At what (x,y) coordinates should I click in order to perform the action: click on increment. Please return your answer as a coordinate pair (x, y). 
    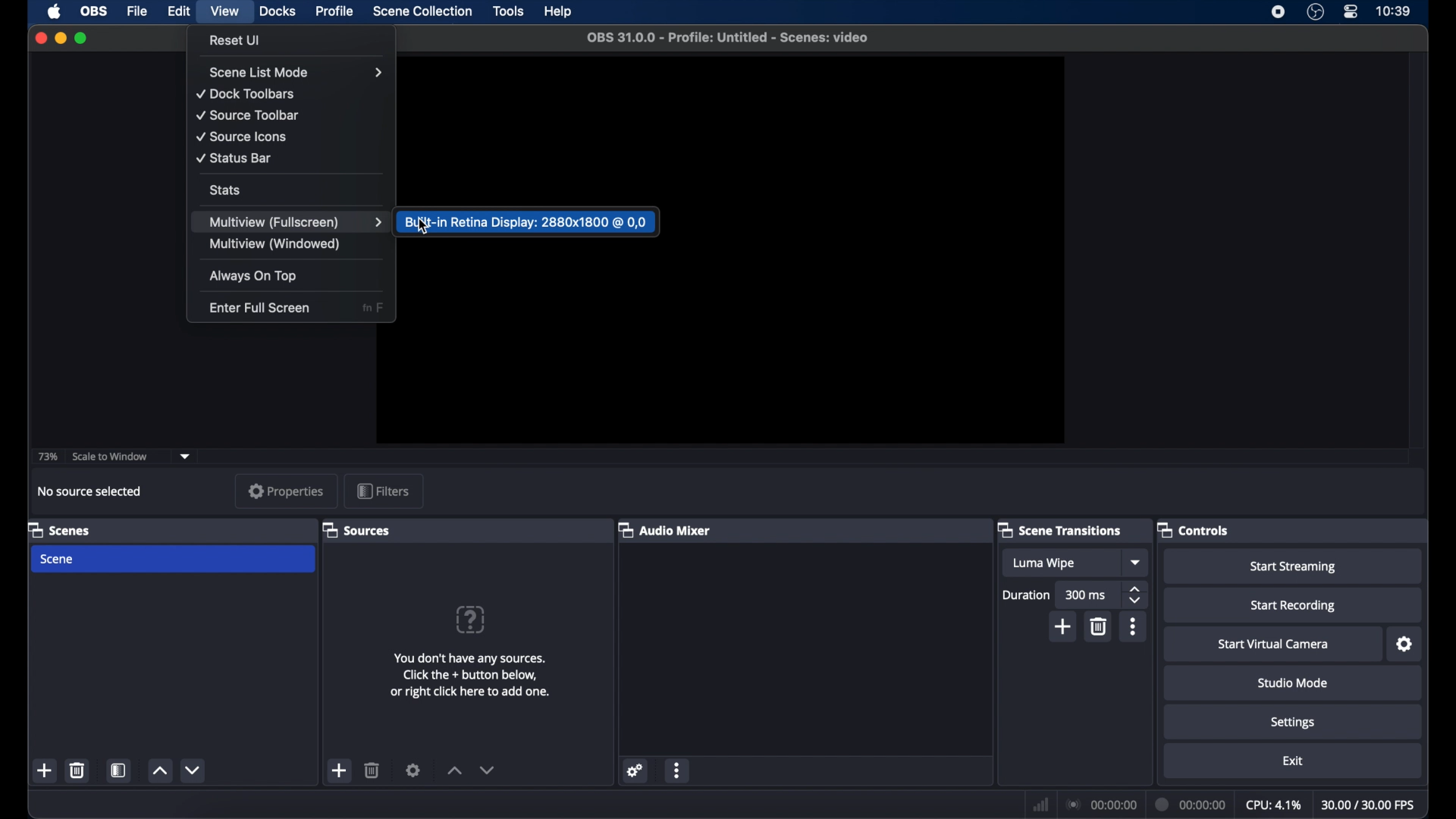
    Looking at the image, I should click on (160, 770).